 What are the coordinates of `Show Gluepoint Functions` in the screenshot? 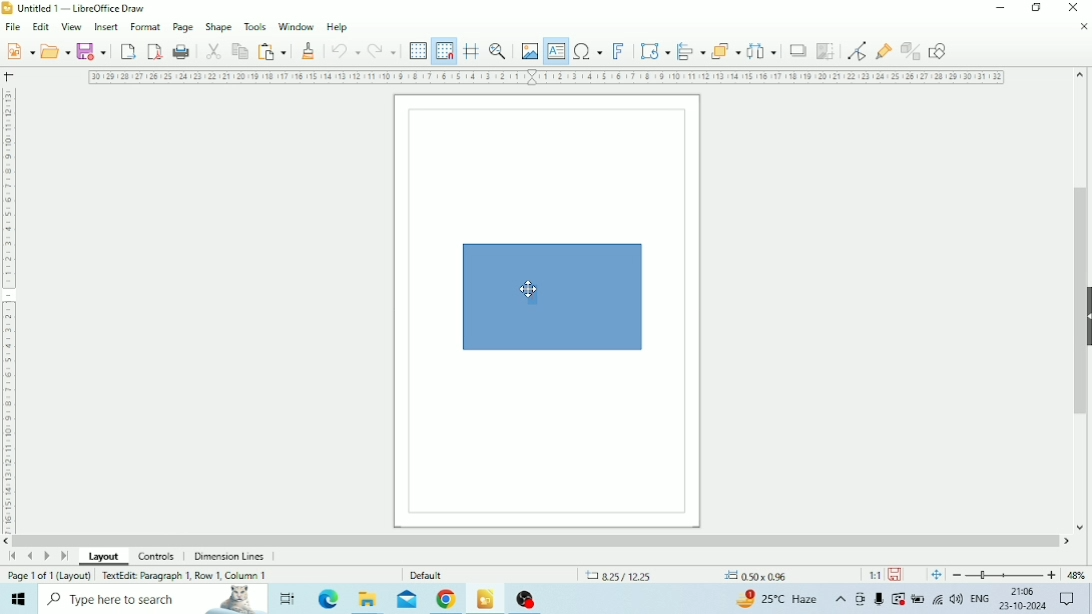 It's located at (882, 52).